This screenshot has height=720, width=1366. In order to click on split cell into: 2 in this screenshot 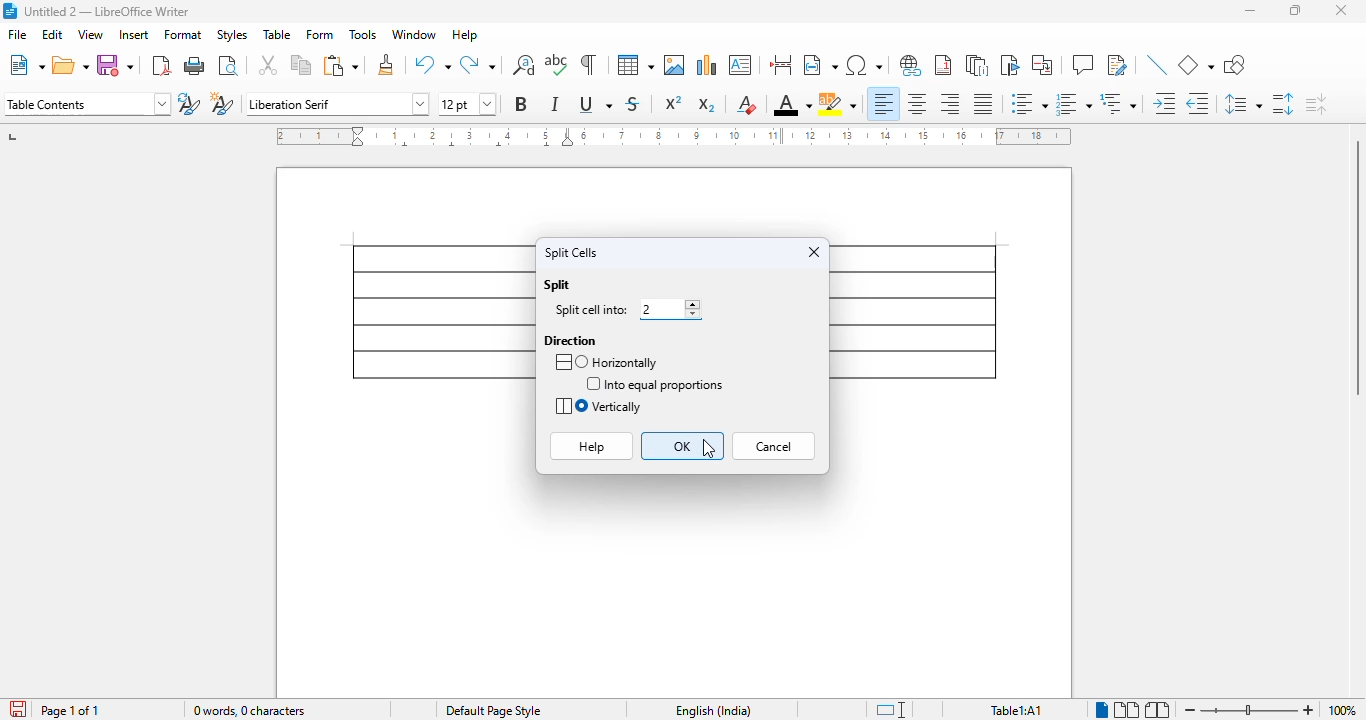, I will do `click(593, 311)`.